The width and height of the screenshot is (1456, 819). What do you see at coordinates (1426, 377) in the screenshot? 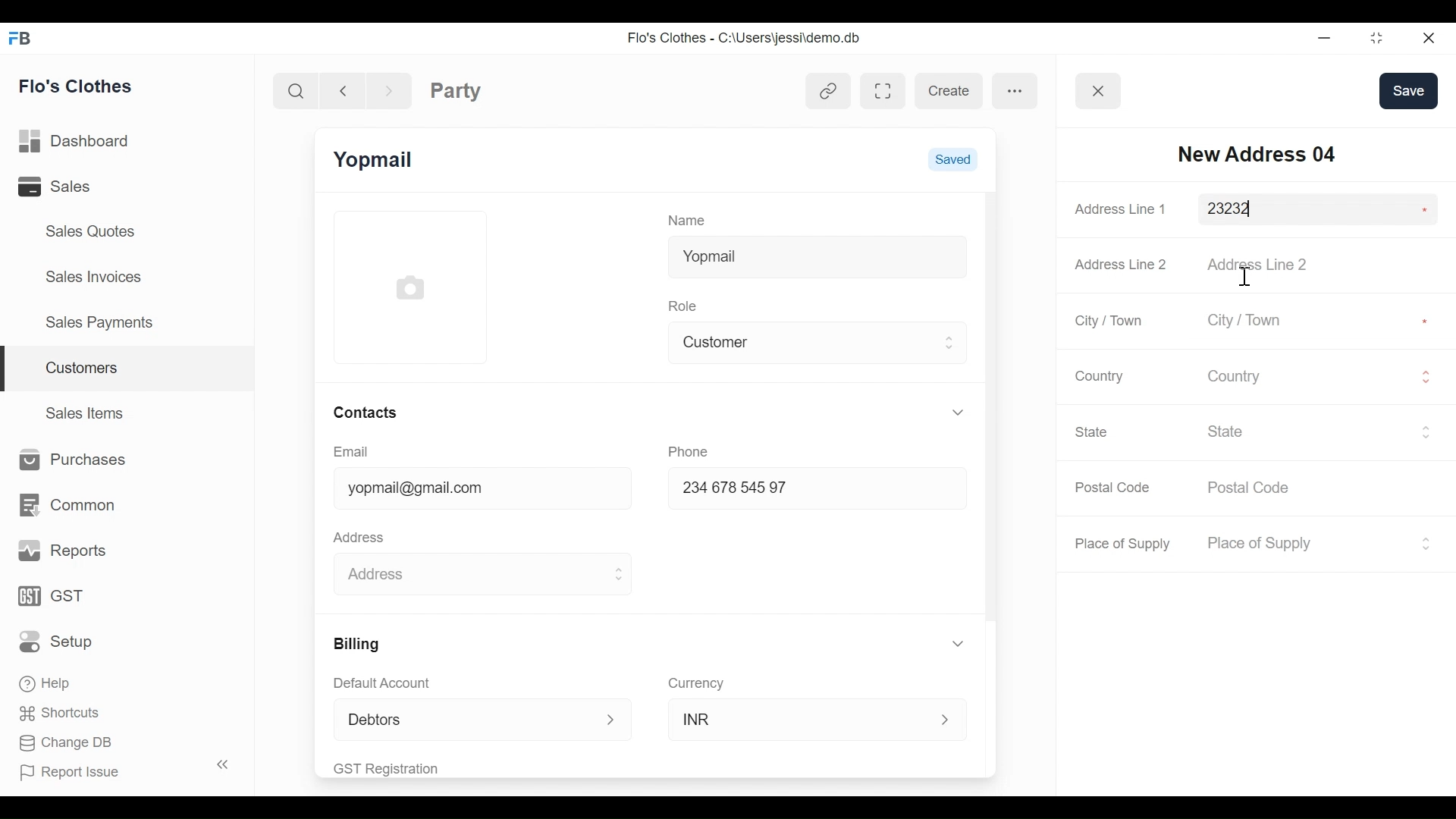
I see `Expand` at bounding box center [1426, 377].